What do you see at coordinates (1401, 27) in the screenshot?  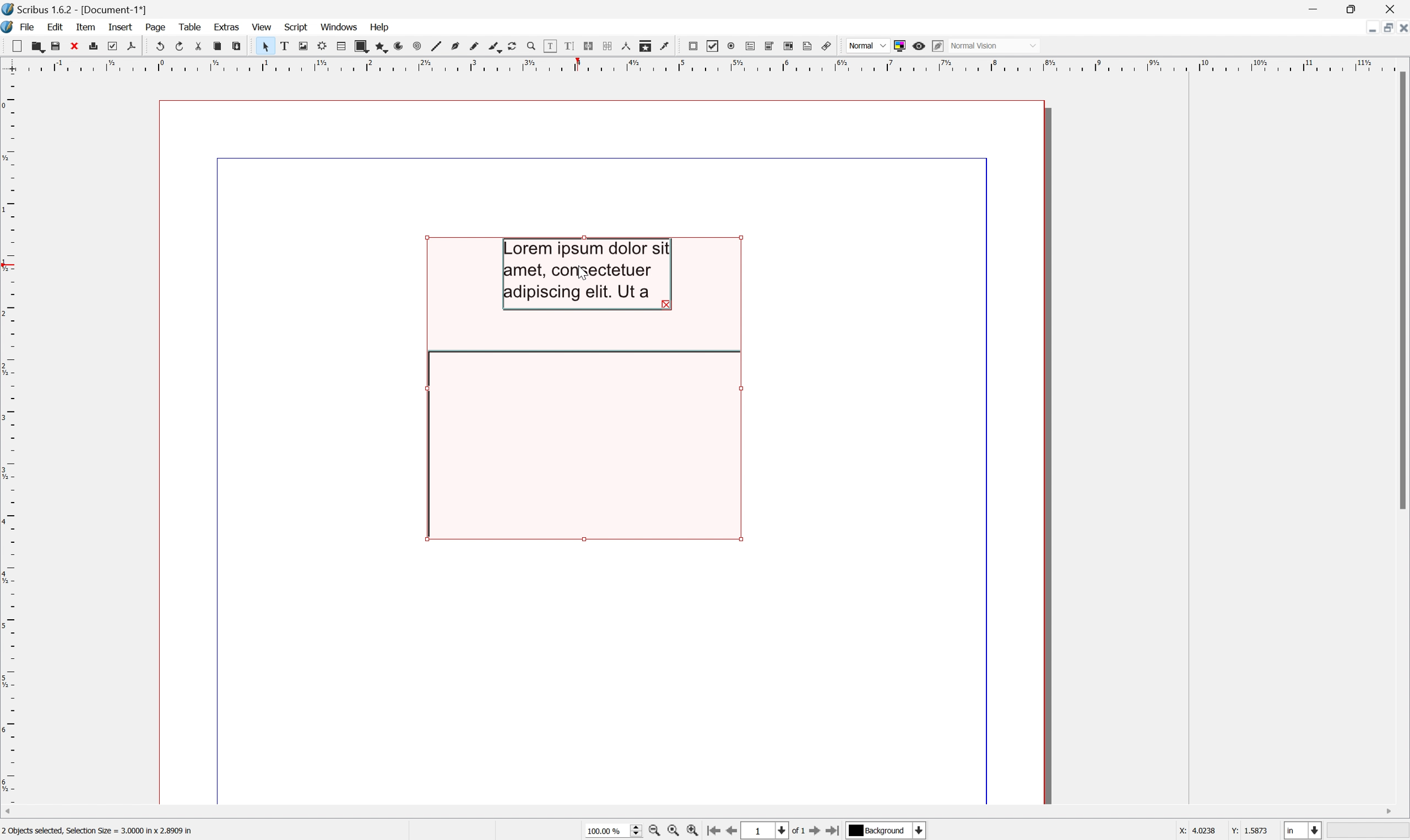 I see `Close` at bounding box center [1401, 27].